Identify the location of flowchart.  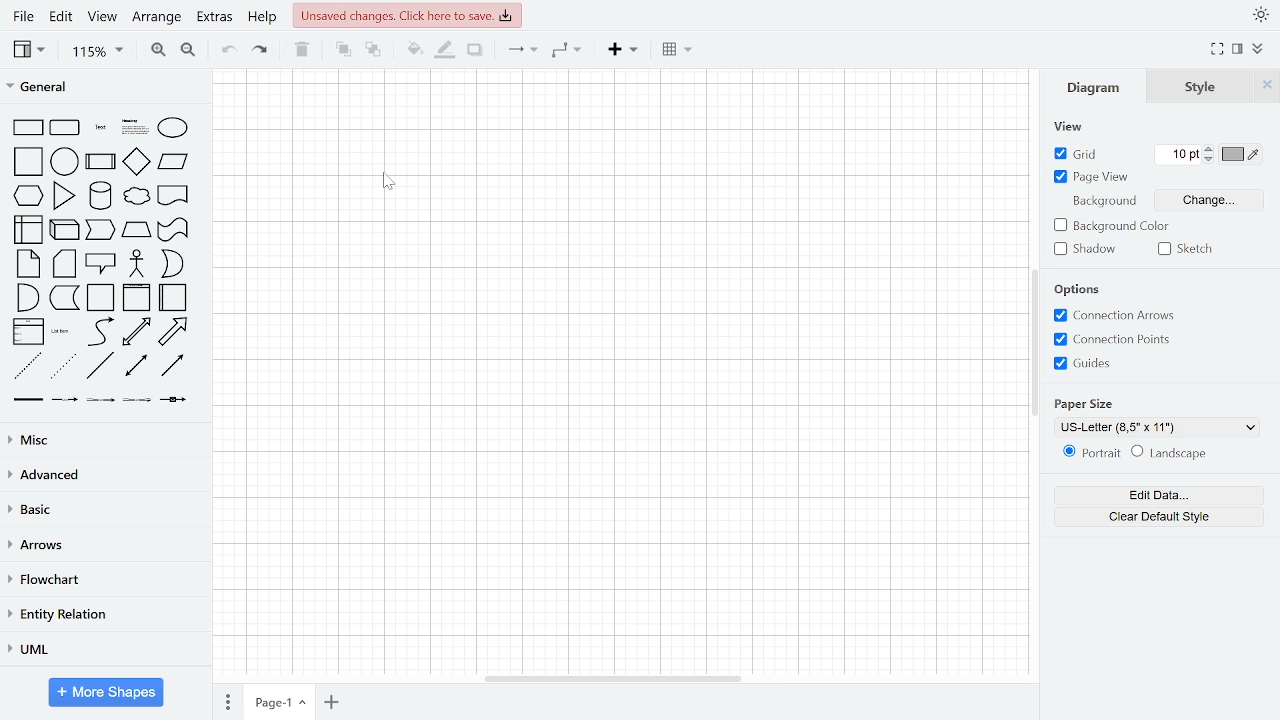
(102, 579).